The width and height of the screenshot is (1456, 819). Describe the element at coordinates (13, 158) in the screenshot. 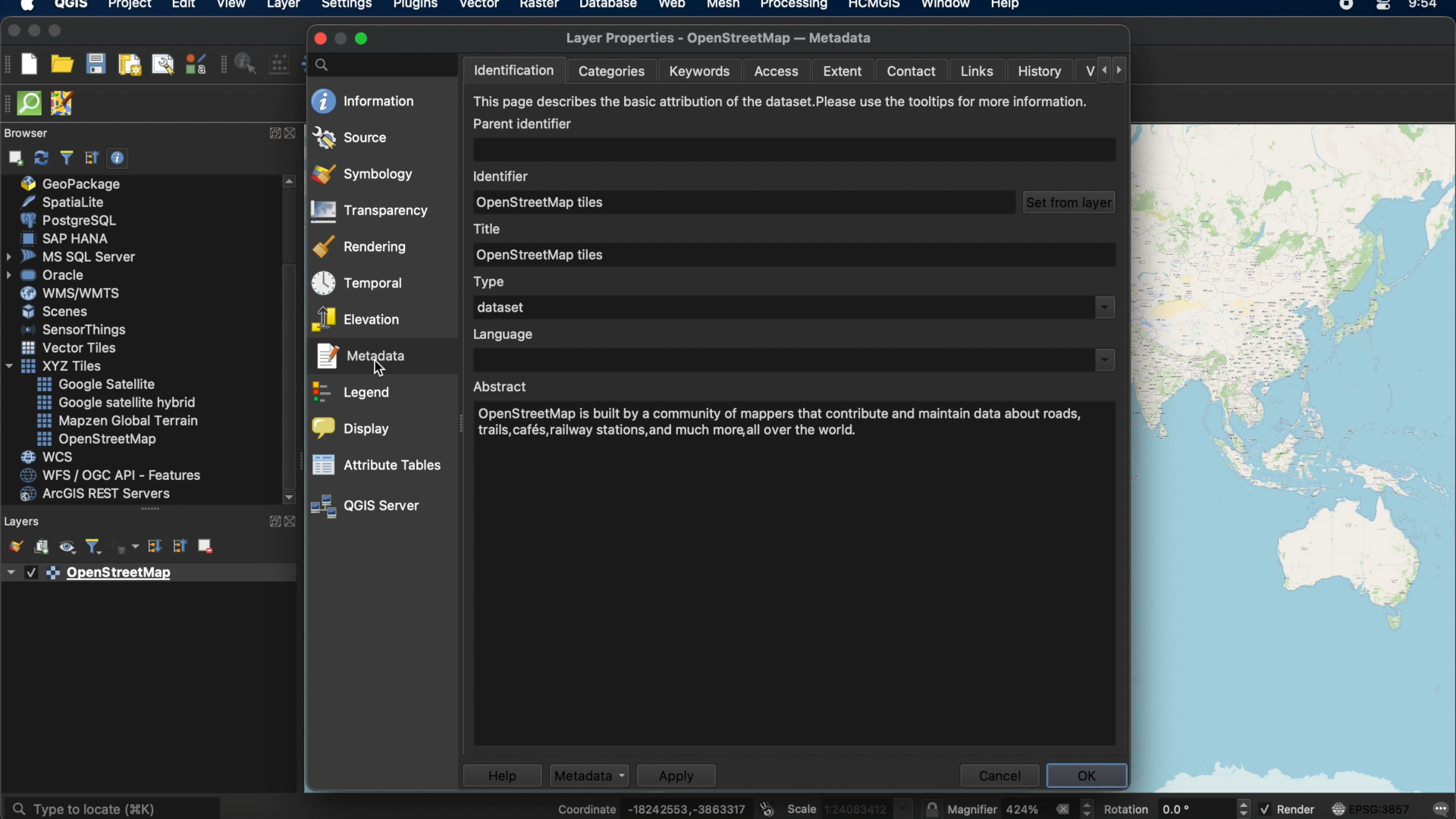

I see `add selected layers` at that location.